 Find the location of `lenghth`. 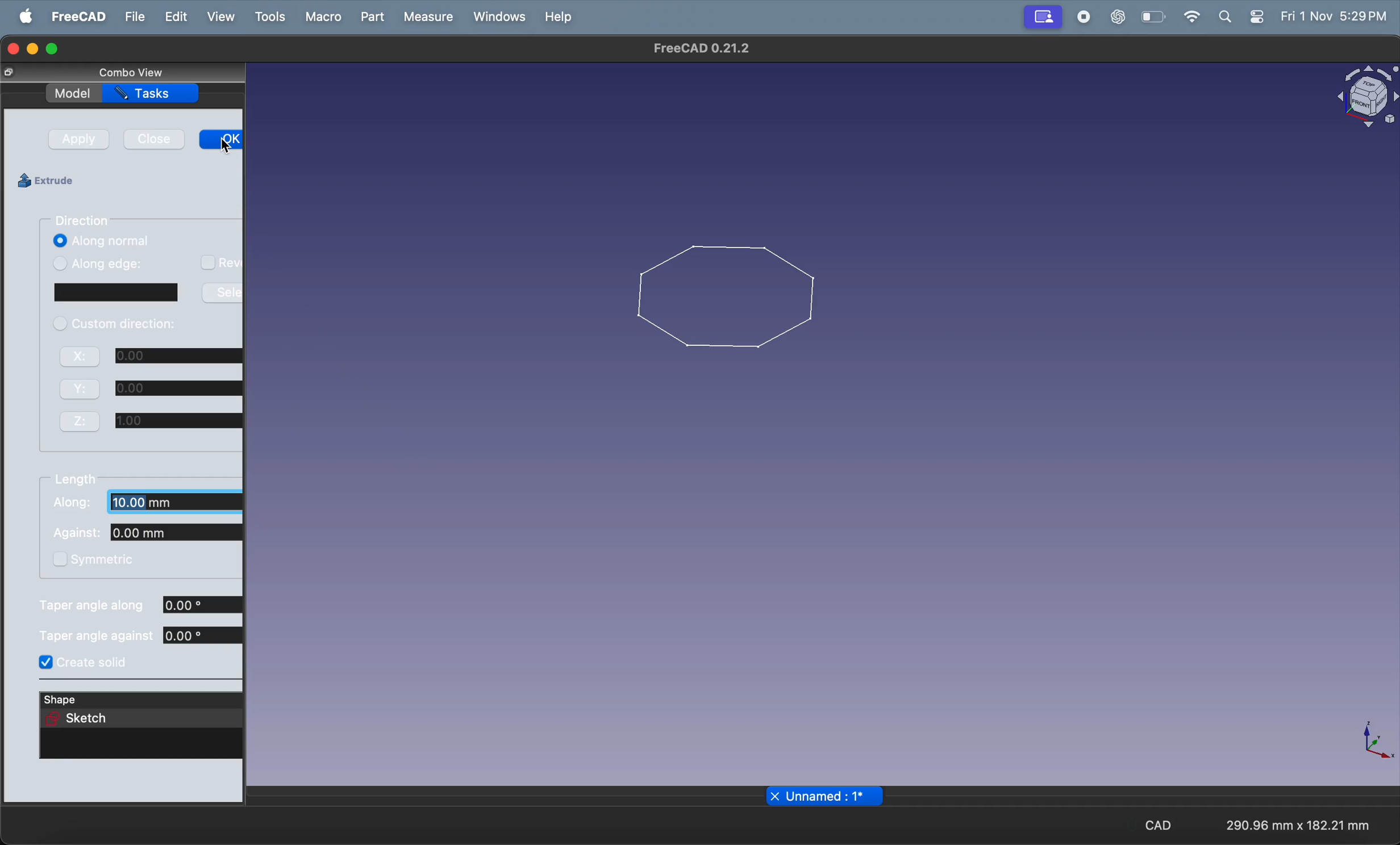

lenghth is located at coordinates (78, 480).